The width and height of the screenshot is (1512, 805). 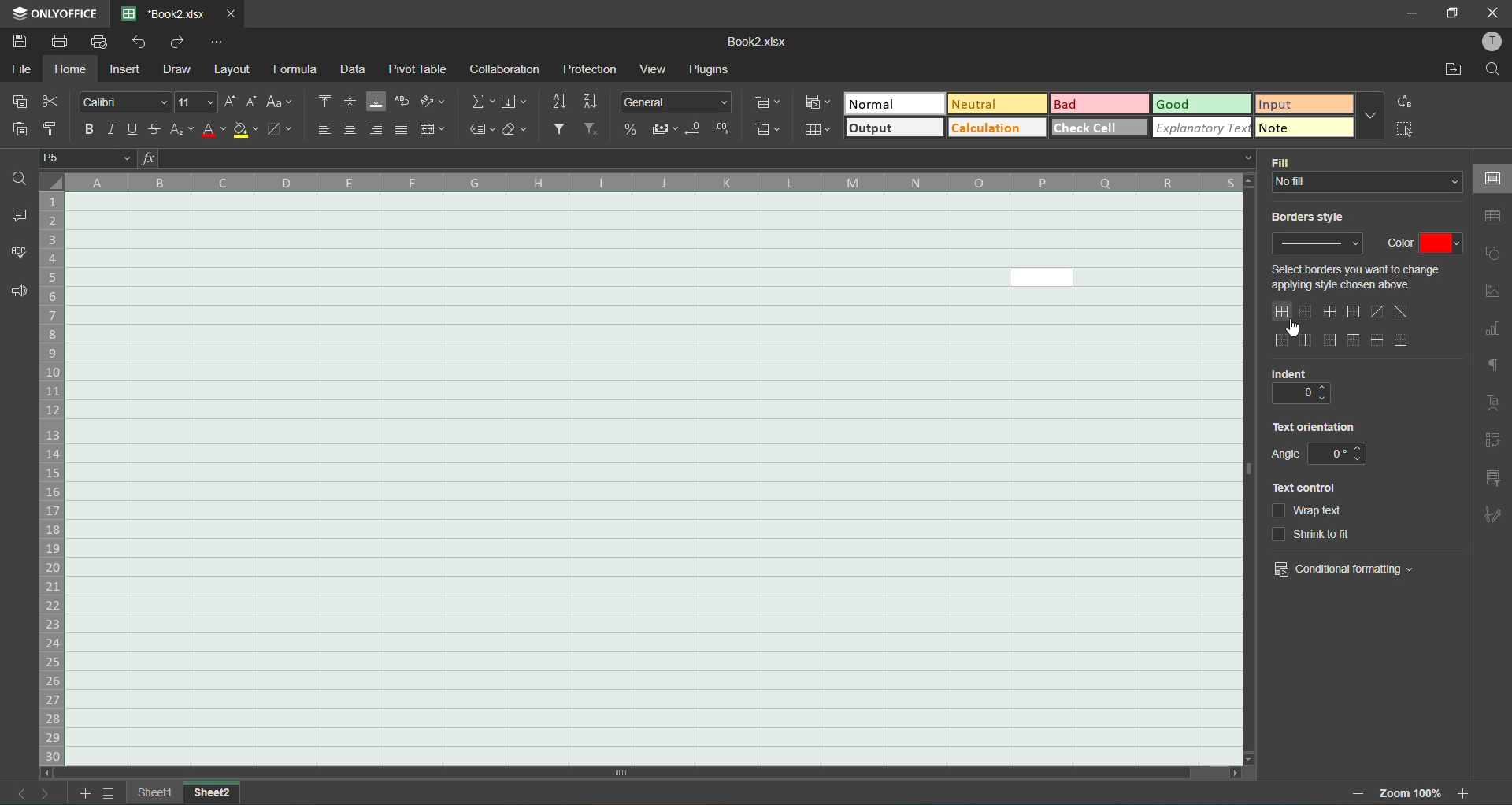 What do you see at coordinates (89, 131) in the screenshot?
I see `bold` at bounding box center [89, 131].